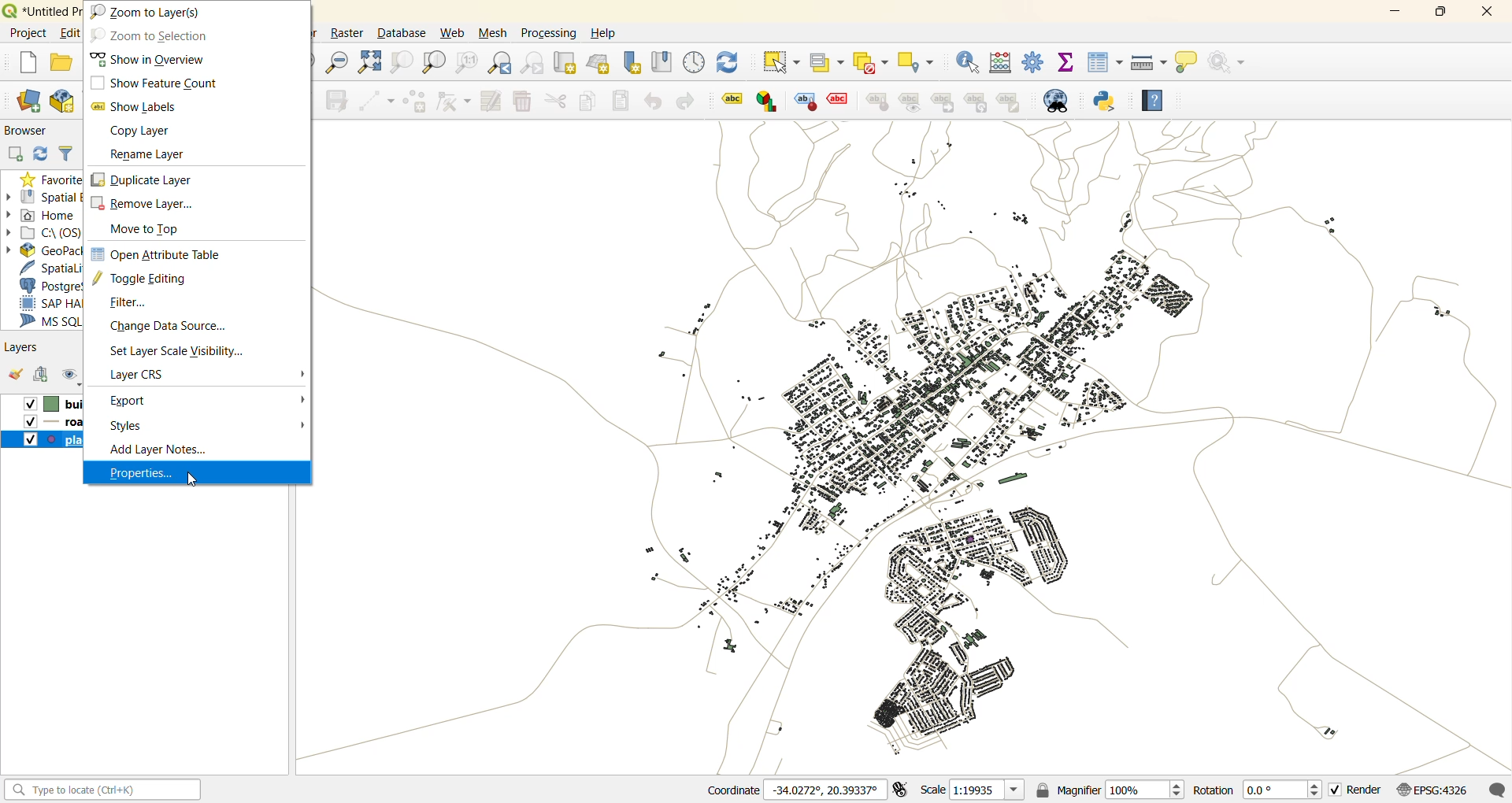 This screenshot has width=1512, height=803. Describe the element at coordinates (149, 59) in the screenshot. I see `show in overview` at that location.